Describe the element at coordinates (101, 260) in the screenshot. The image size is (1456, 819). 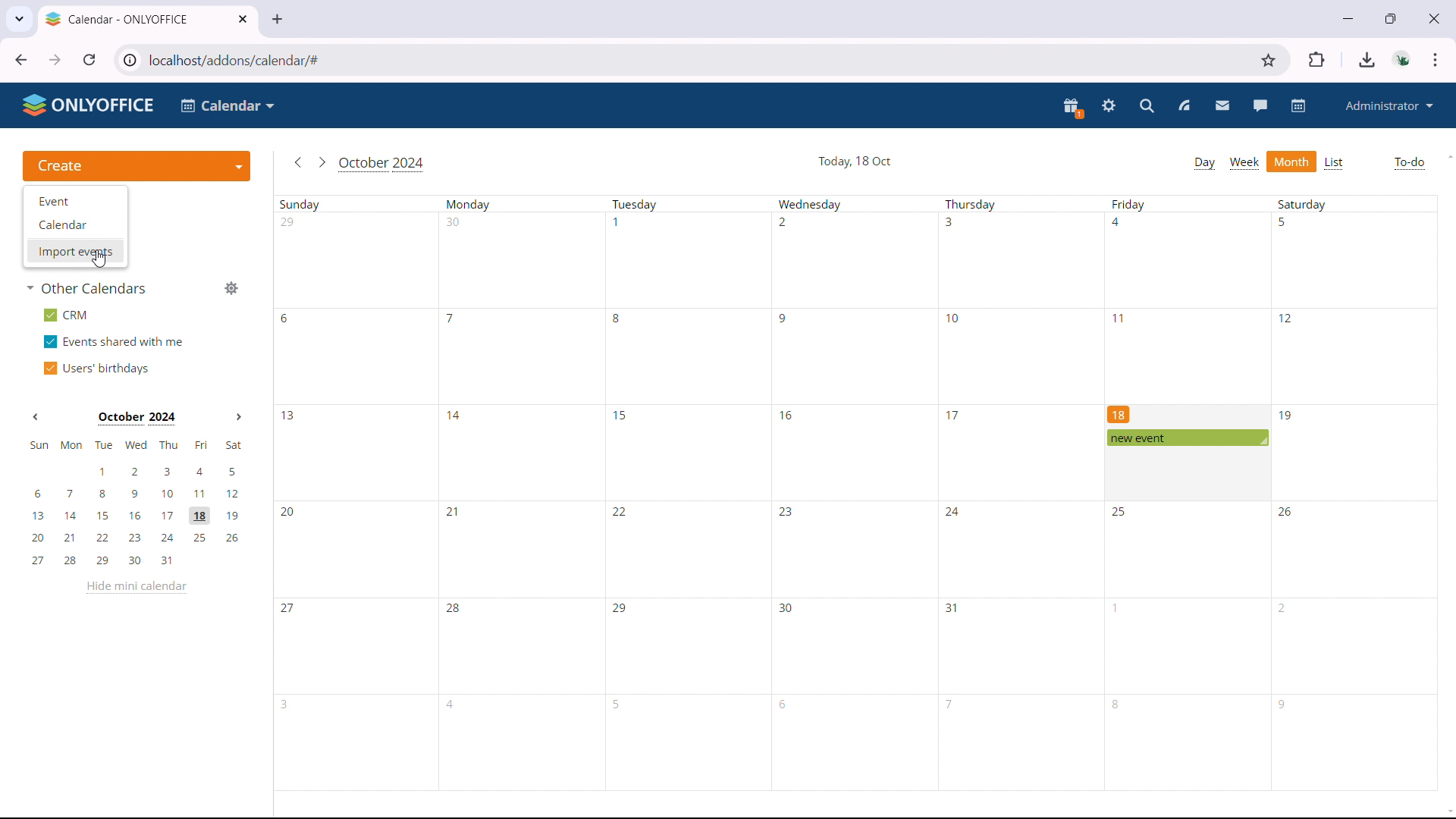
I see `cursor` at that location.